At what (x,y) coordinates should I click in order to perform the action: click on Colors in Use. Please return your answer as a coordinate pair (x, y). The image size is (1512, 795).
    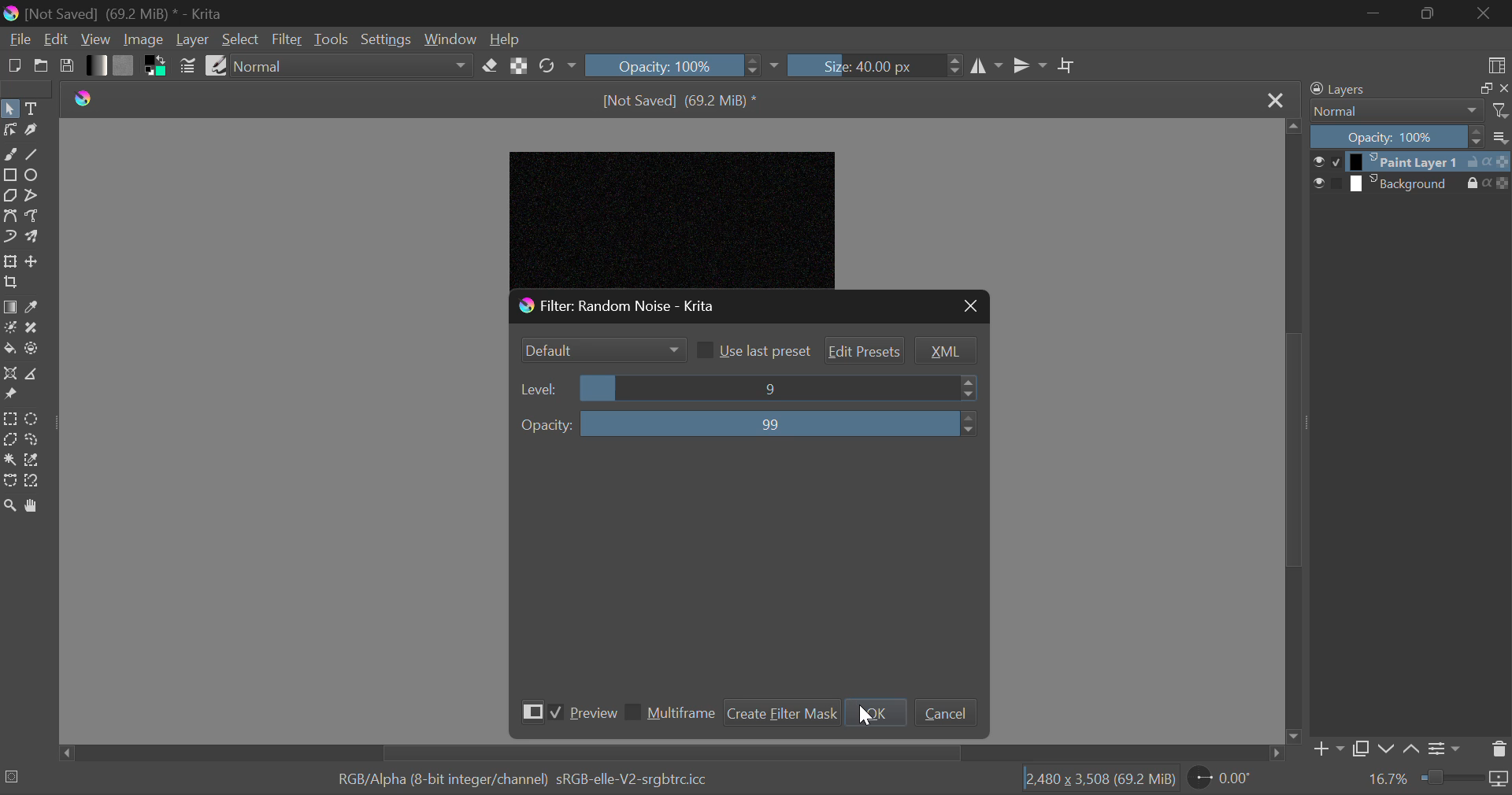
    Looking at the image, I should click on (157, 66).